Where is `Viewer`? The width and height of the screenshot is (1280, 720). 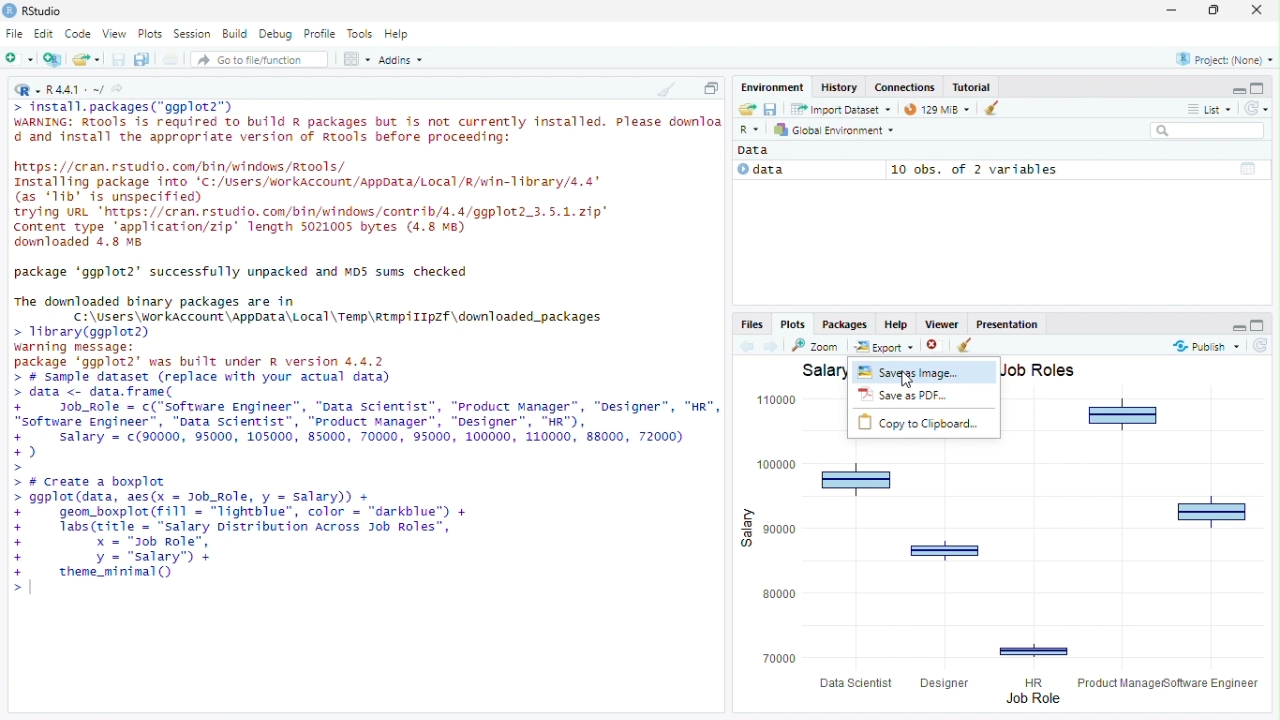
Viewer is located at coordinates (941, 323).